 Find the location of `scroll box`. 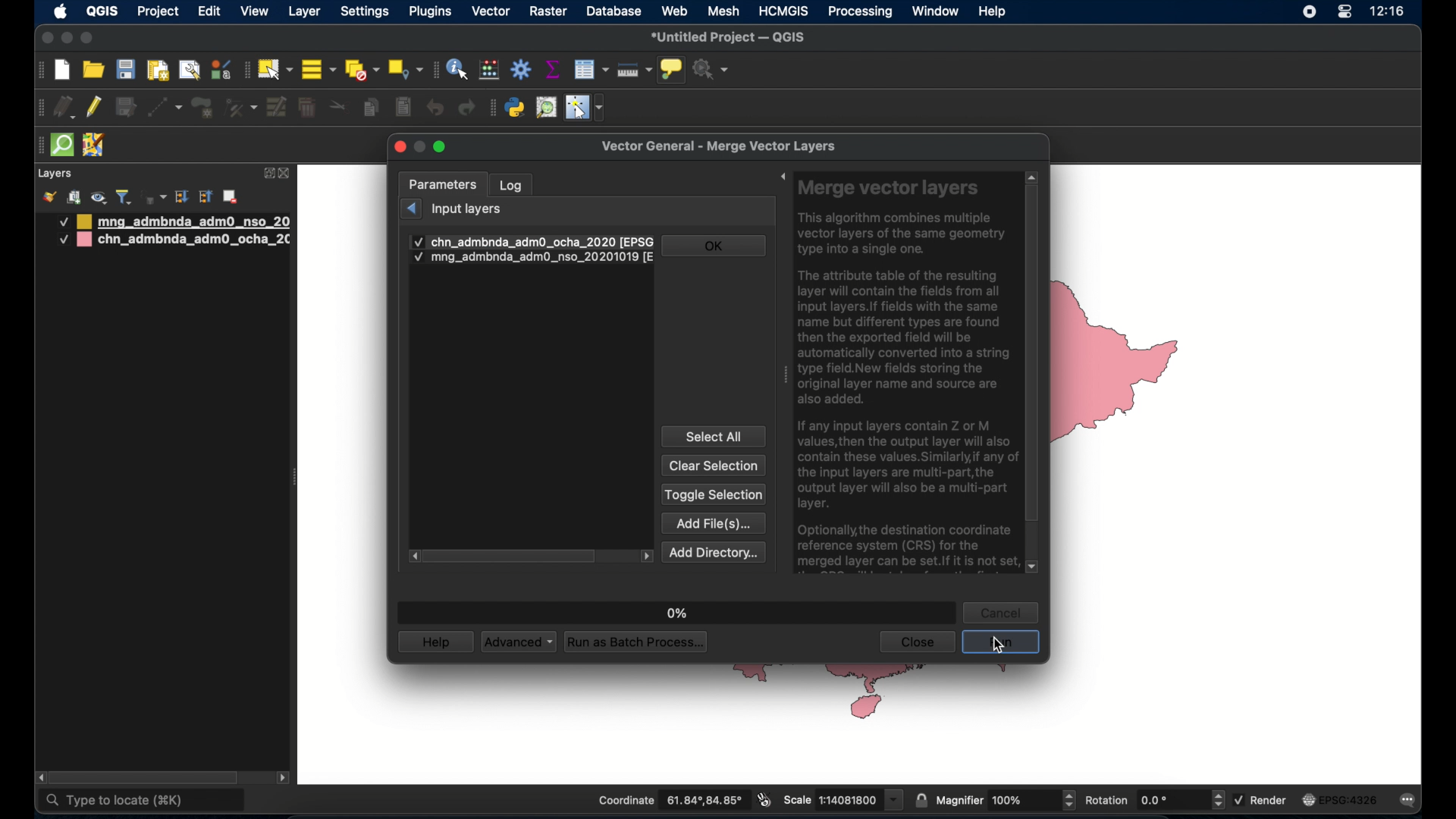

scroll box is located at coordinates (1032, 356).